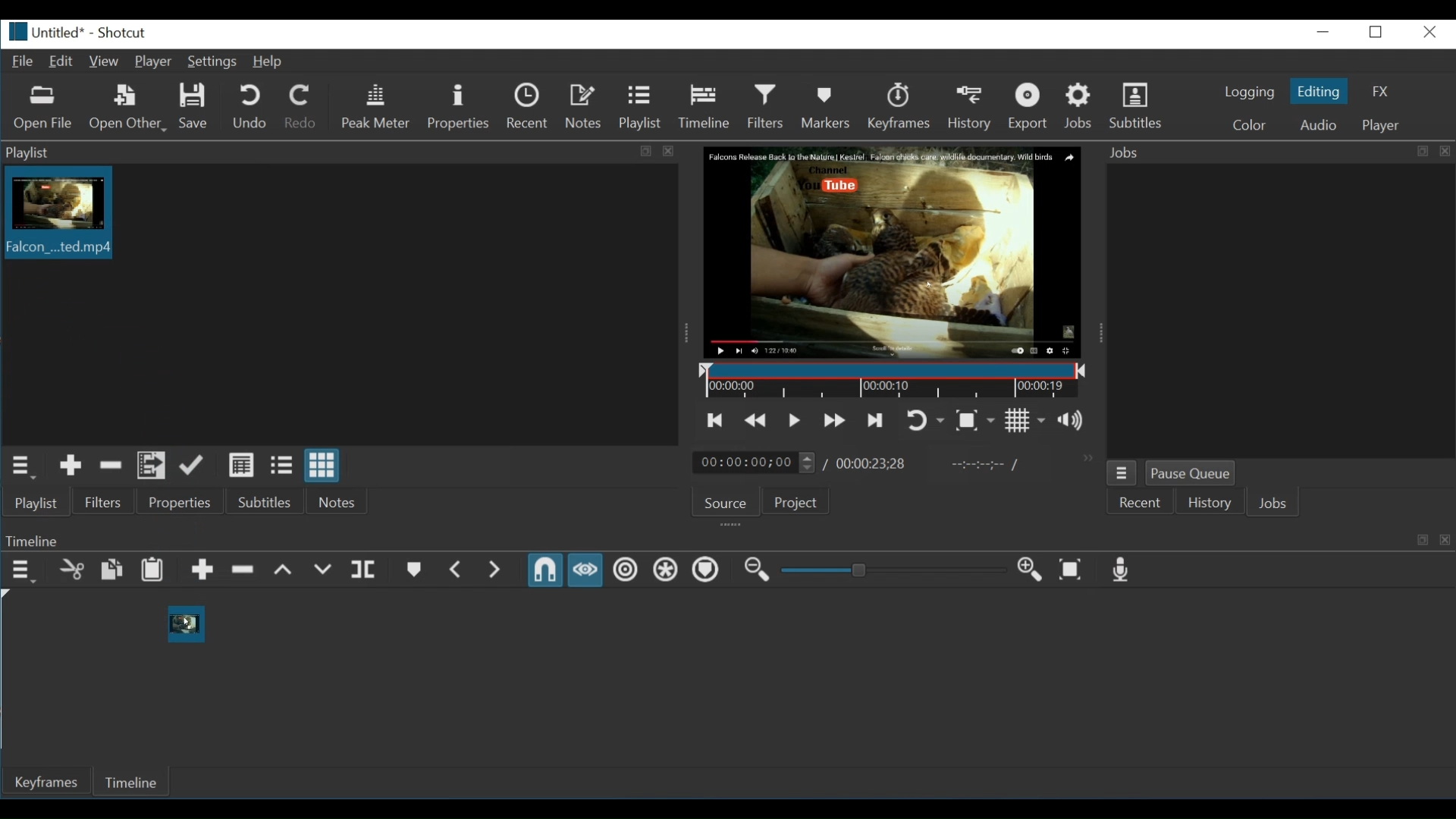  Describe the element at coordinates (111, 466) in the screenshot. I see `Remove cut` at that location.